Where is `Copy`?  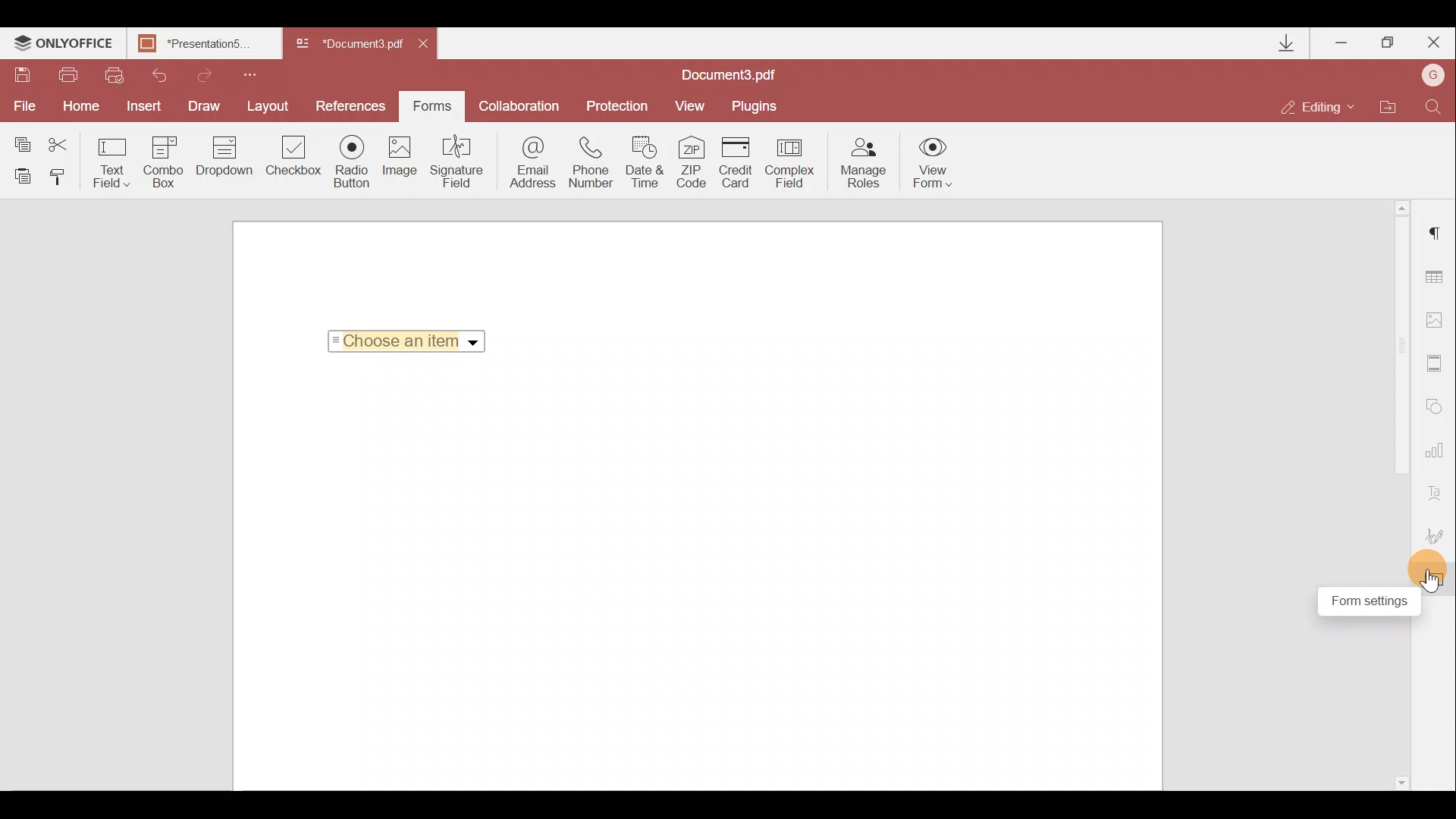
Copy is located at coordinates (21, 141).